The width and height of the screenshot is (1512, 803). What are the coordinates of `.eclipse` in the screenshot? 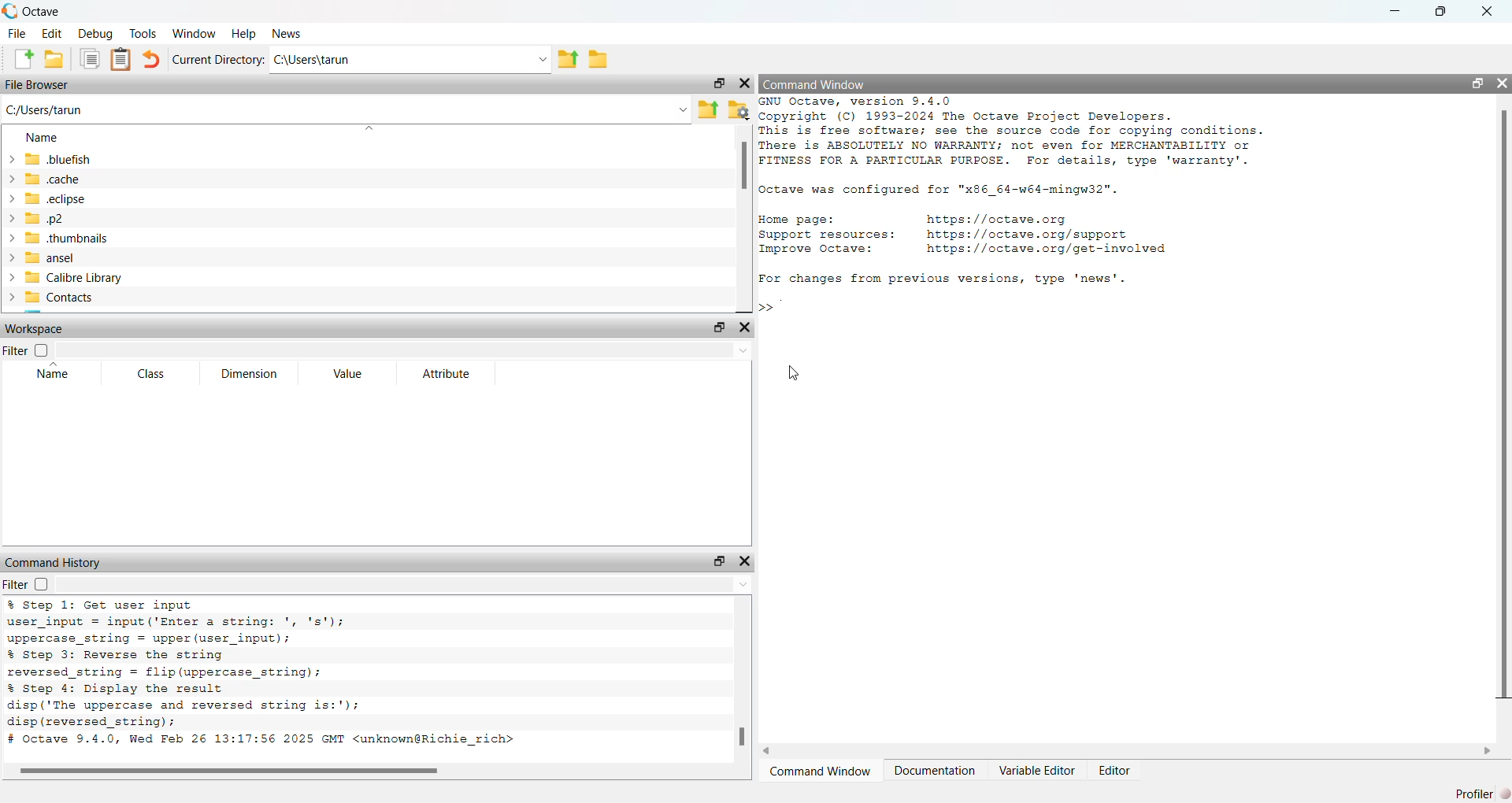 It's located at (90, 200).